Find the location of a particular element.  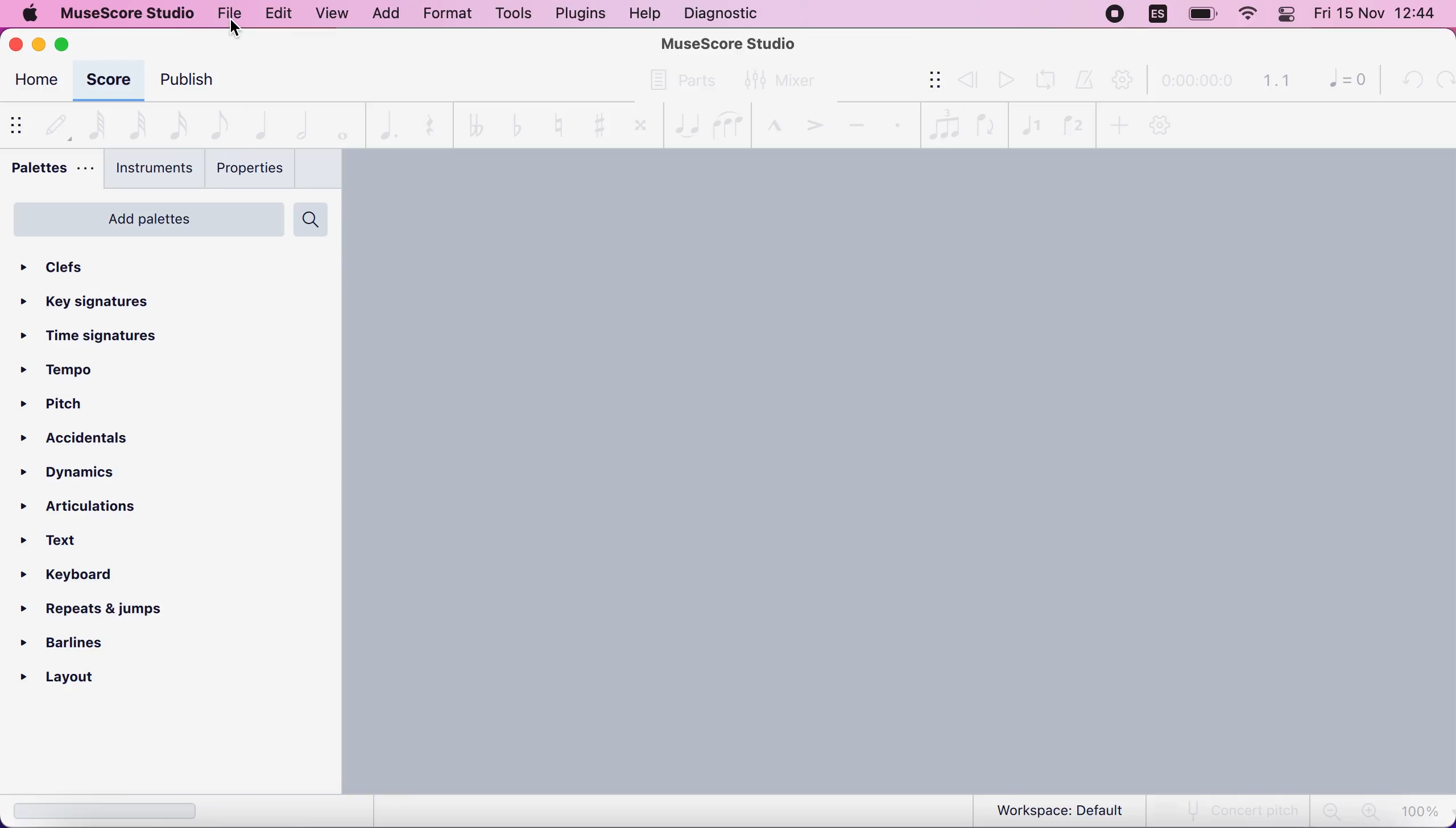

MuseScore Studio is located at coordinates (729, 43).